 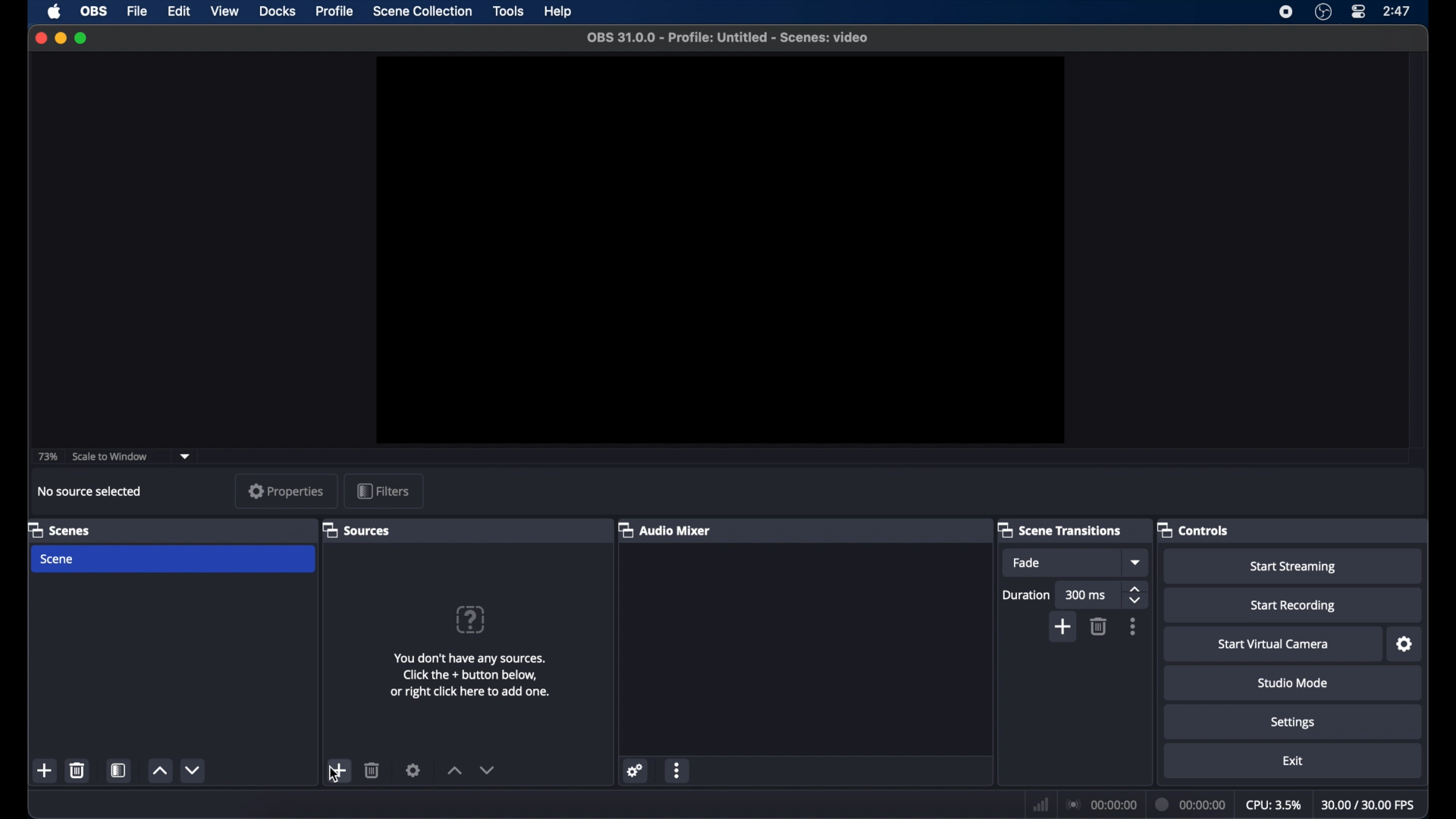 I want to click on file name, so click(x=728, y=38).